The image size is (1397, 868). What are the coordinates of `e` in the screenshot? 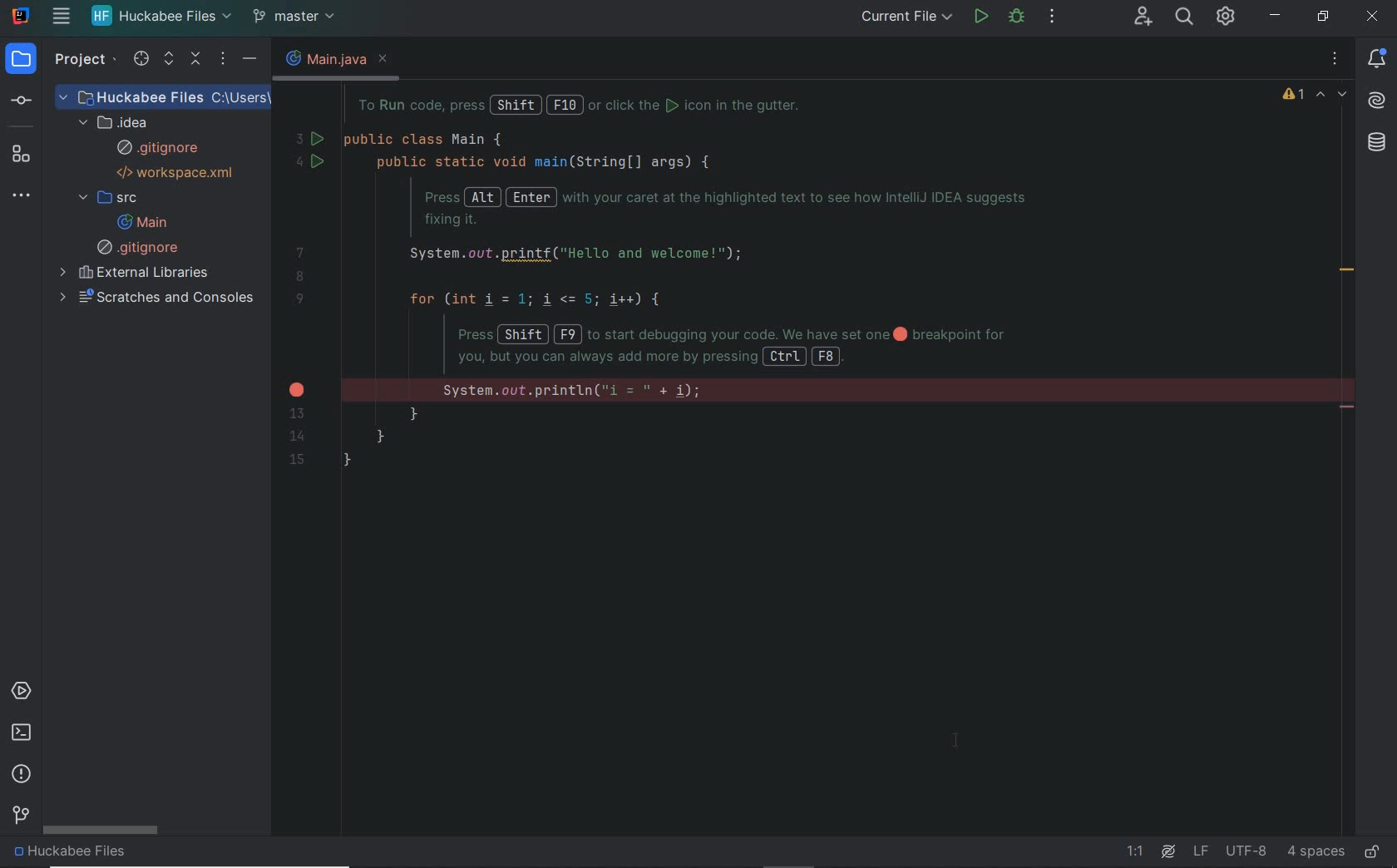 It's located at (387, 58).